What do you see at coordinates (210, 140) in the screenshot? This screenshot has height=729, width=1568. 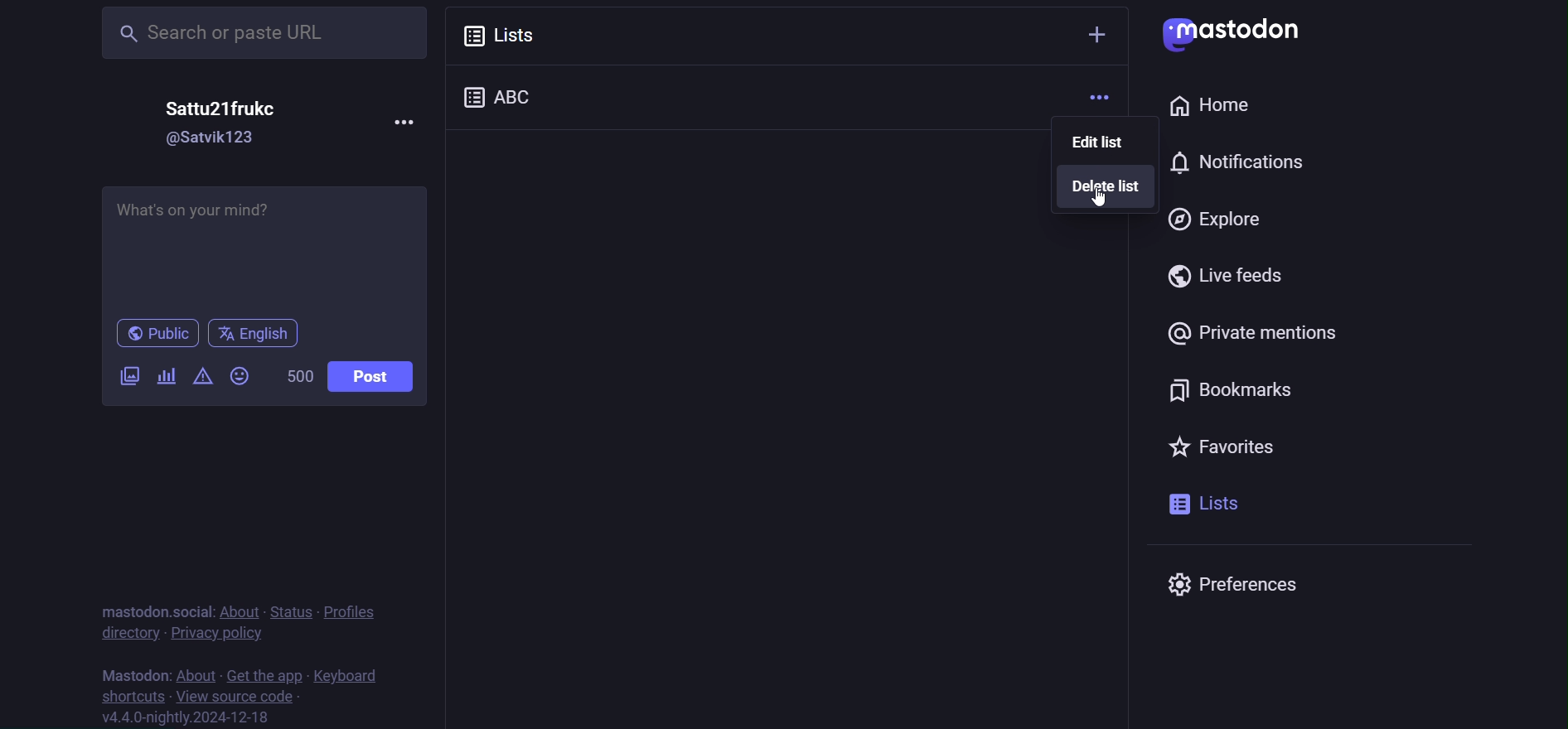 I see `@satvik123` at bounding box center [210, 140].